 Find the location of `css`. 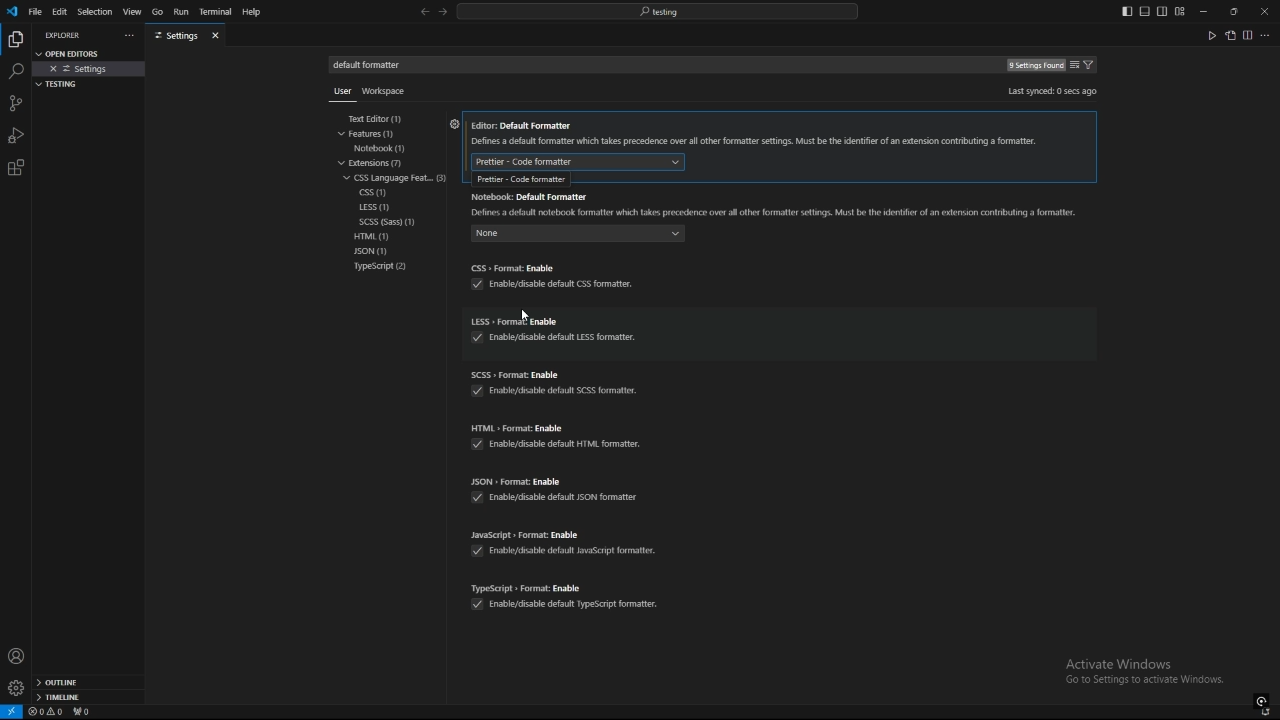

css is located at coordinates (376, 193).